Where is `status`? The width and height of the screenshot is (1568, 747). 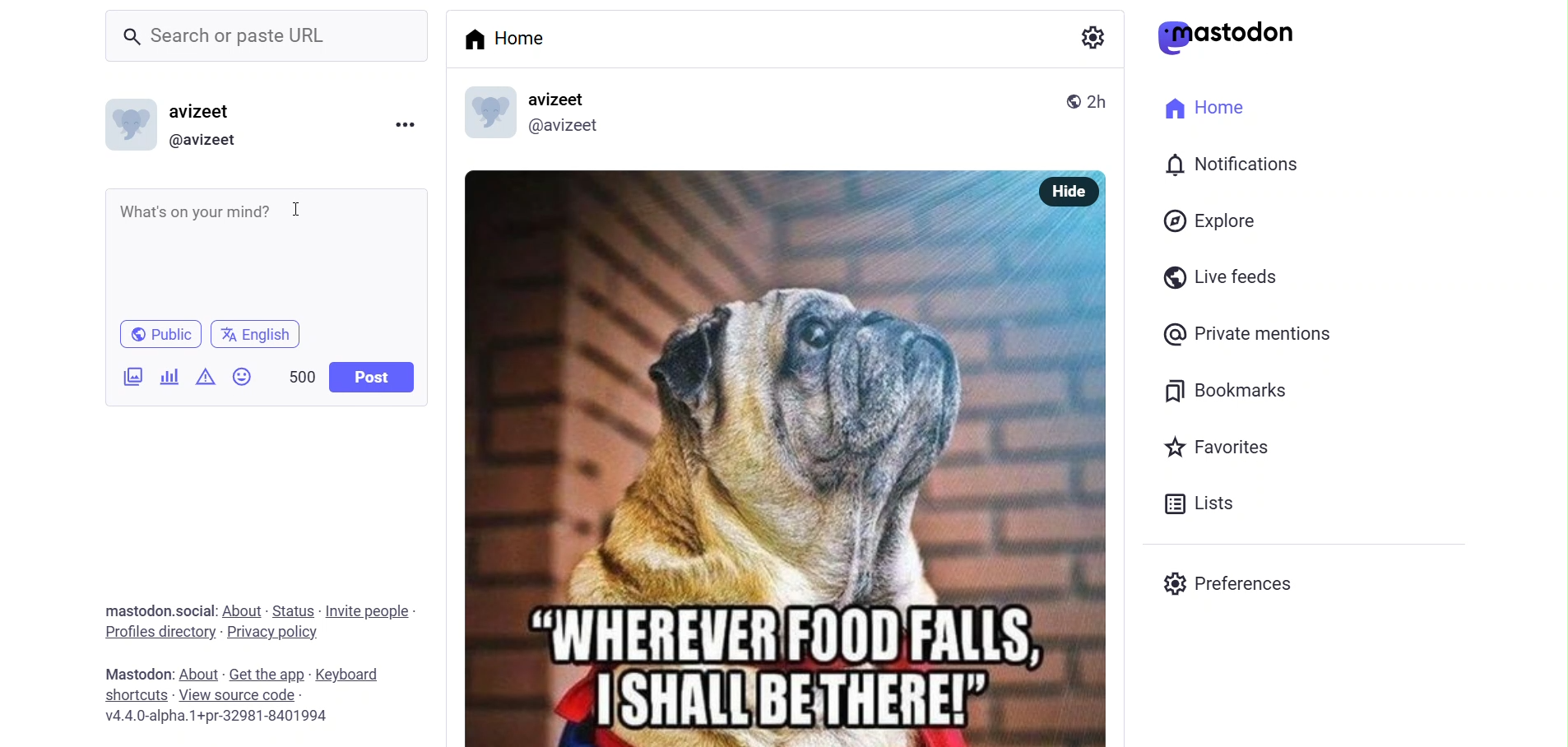
status is located at coordinates (291, 611).